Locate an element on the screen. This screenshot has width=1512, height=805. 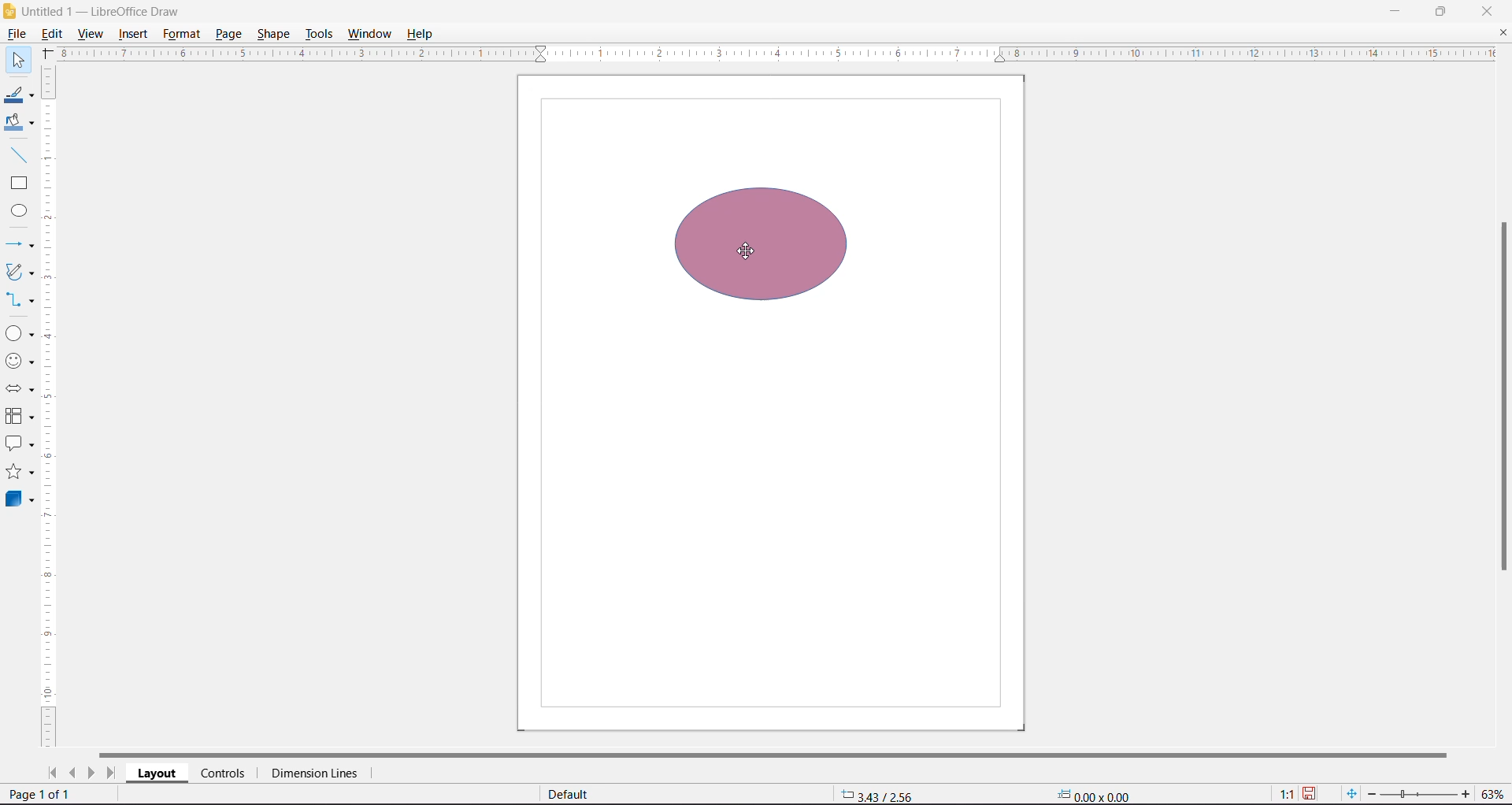
Fill Color is located at coordinates (19, 124).